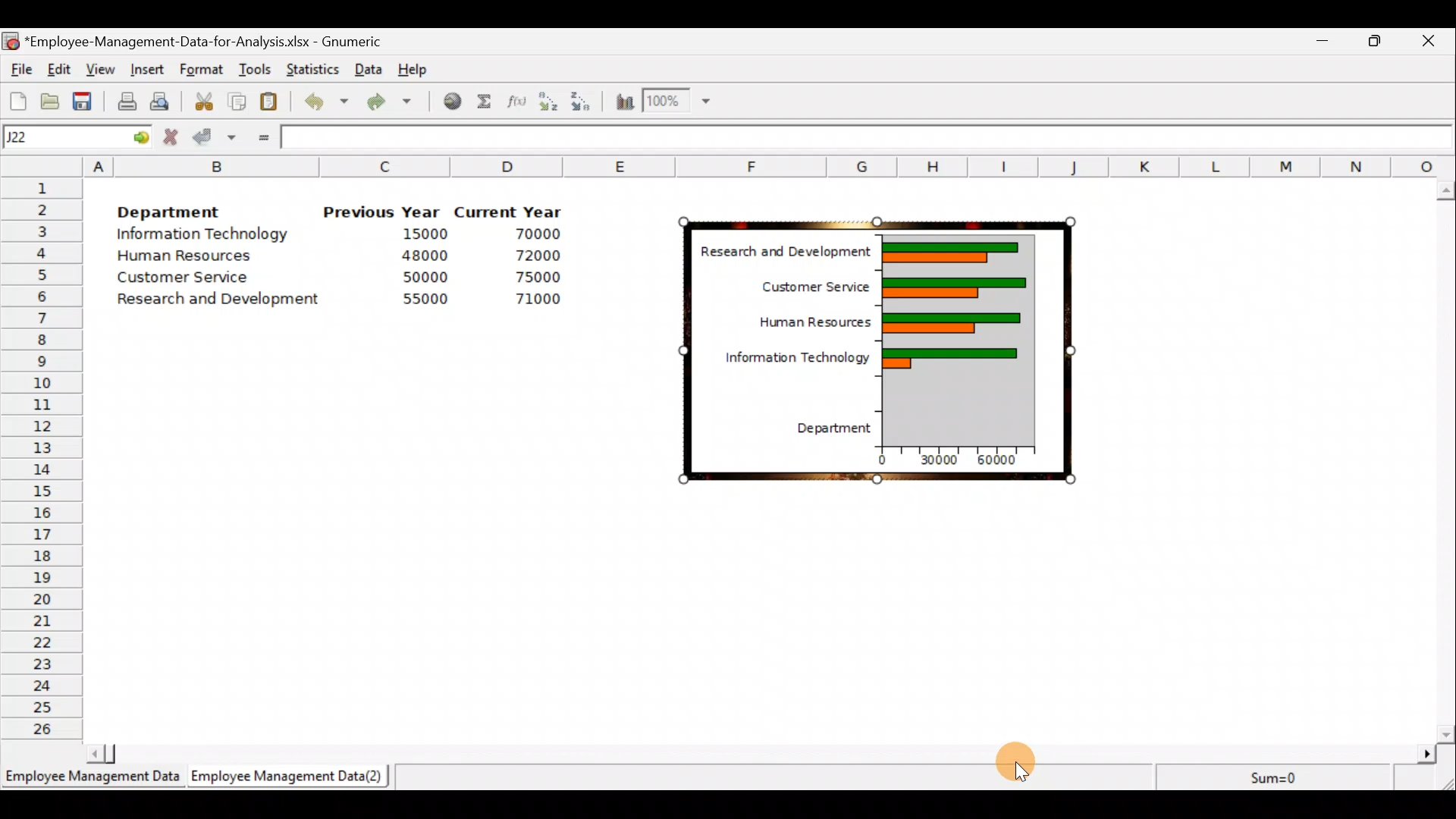 This screenshot has height=819, width=1456. I want to click on 30000, so click(937, 463).